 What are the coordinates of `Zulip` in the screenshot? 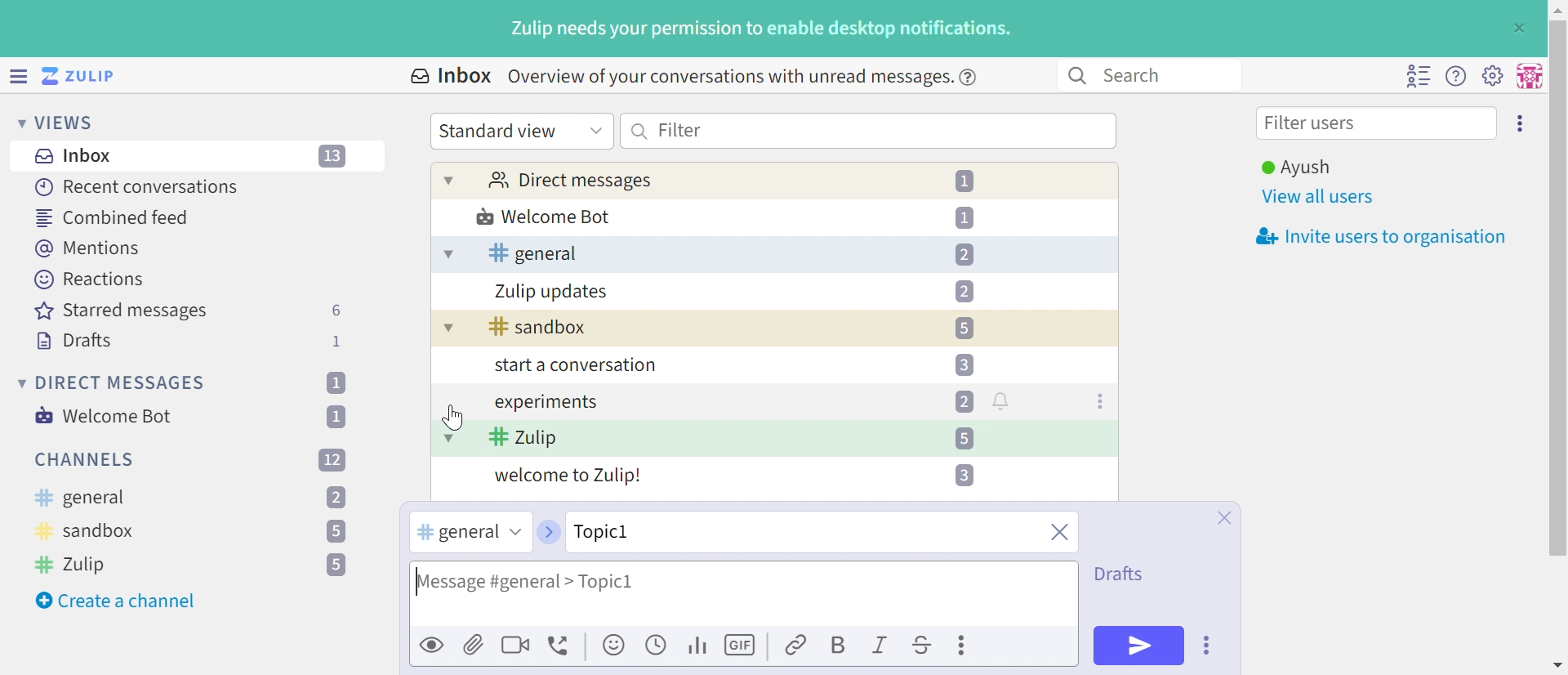 It's located at (523, 439).